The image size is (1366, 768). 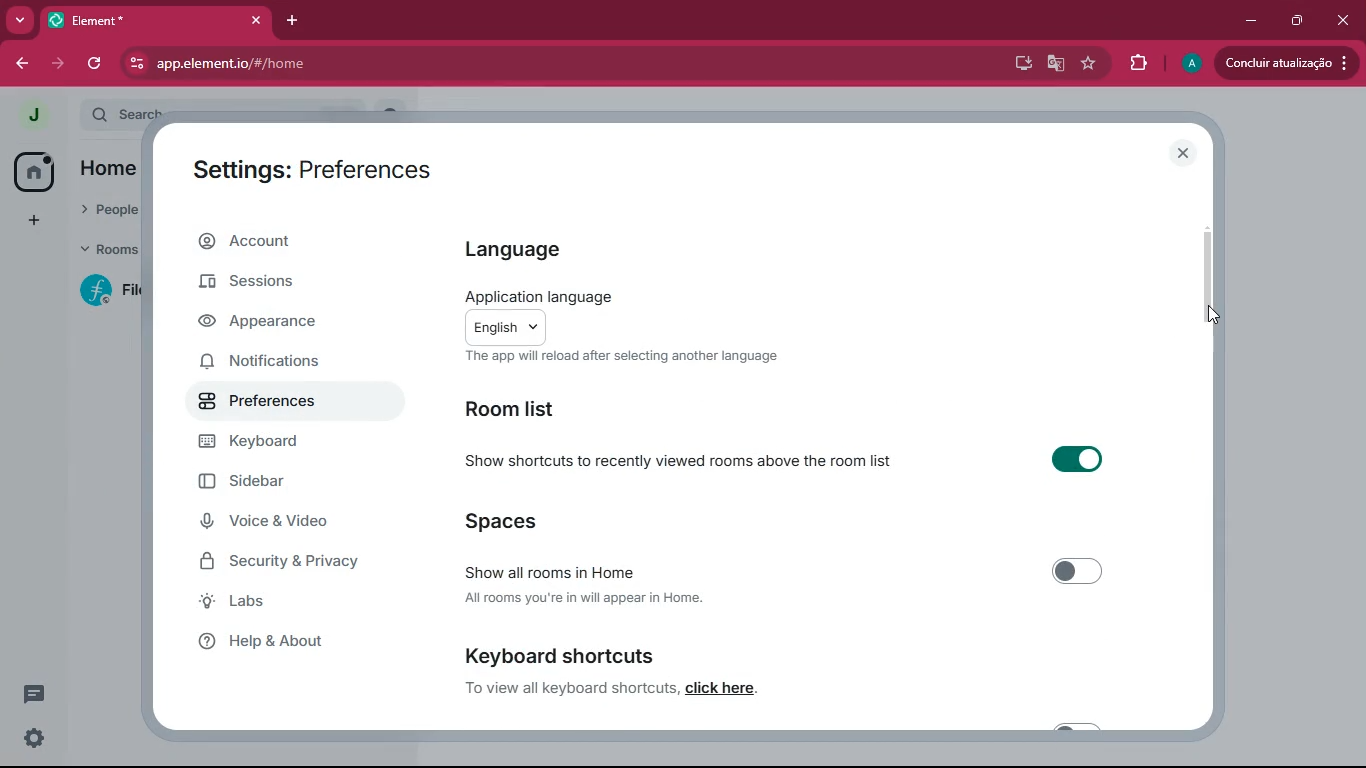 What do you see at coordinates (722, 692) in the screenshot?
I see `click here` at bounding box center [722, 692].